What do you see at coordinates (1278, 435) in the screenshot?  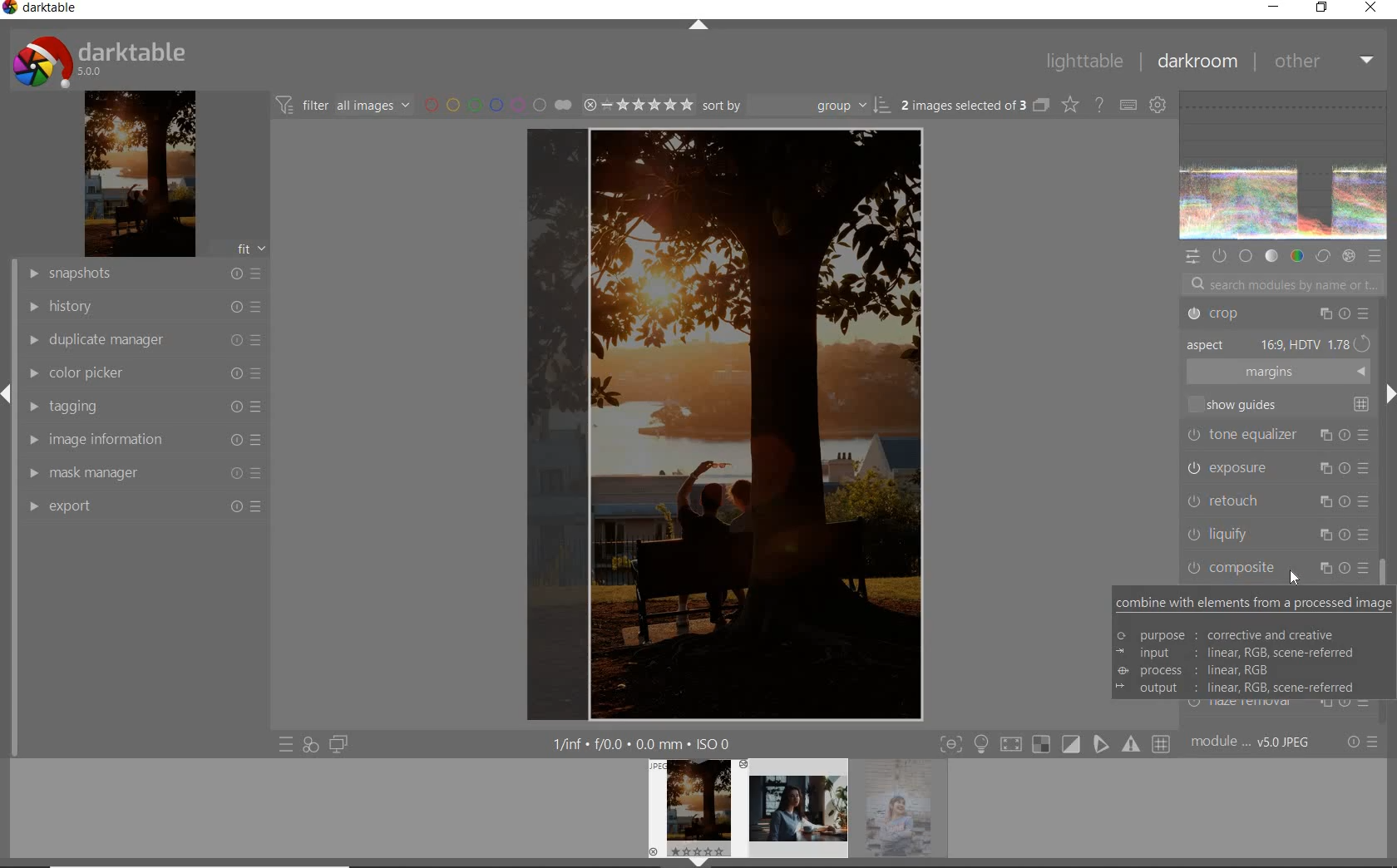 I see `tone equalizer` at bounding box center [1278, 435].